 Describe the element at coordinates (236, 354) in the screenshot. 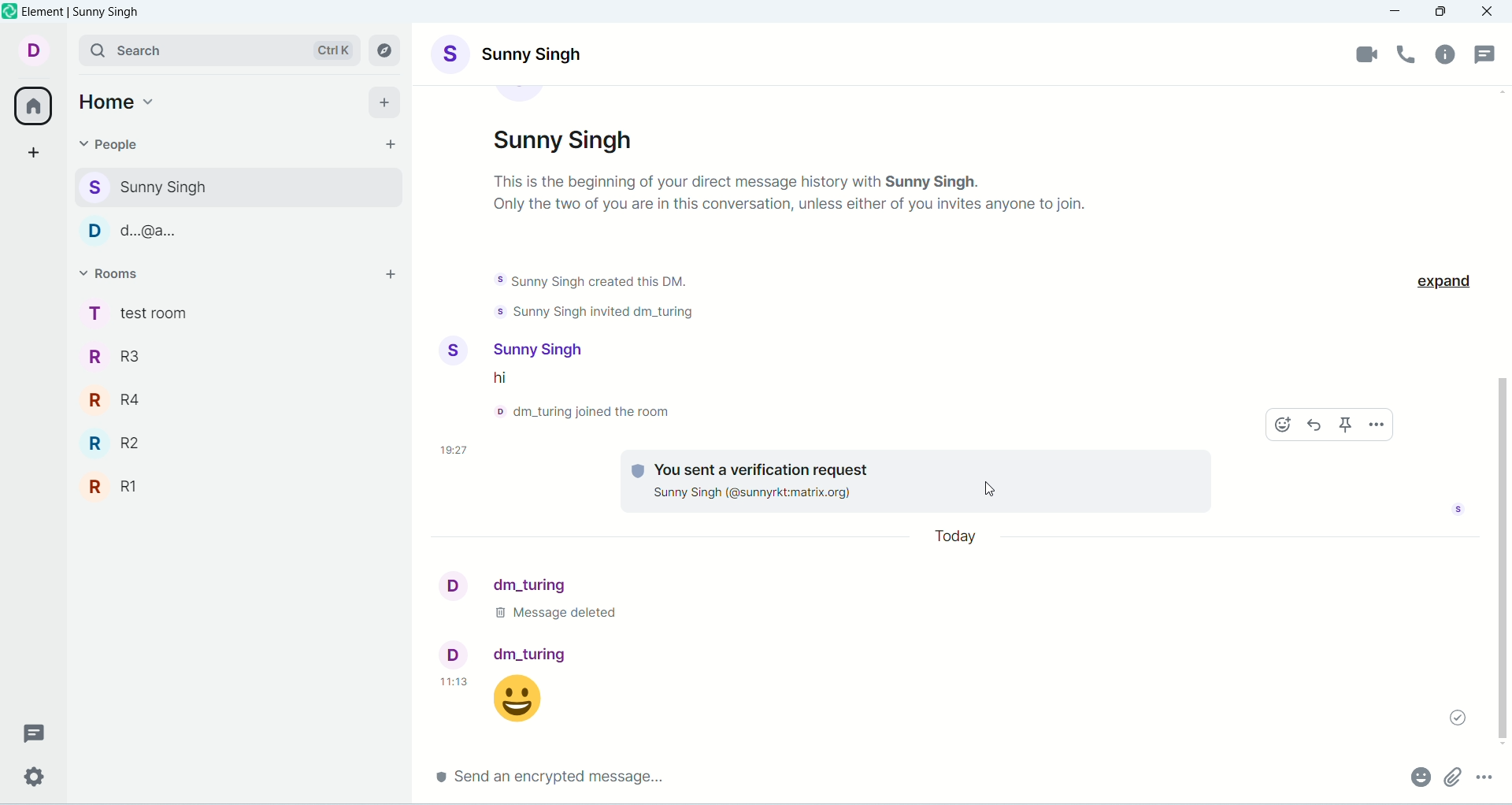

I see `R3` at that location.